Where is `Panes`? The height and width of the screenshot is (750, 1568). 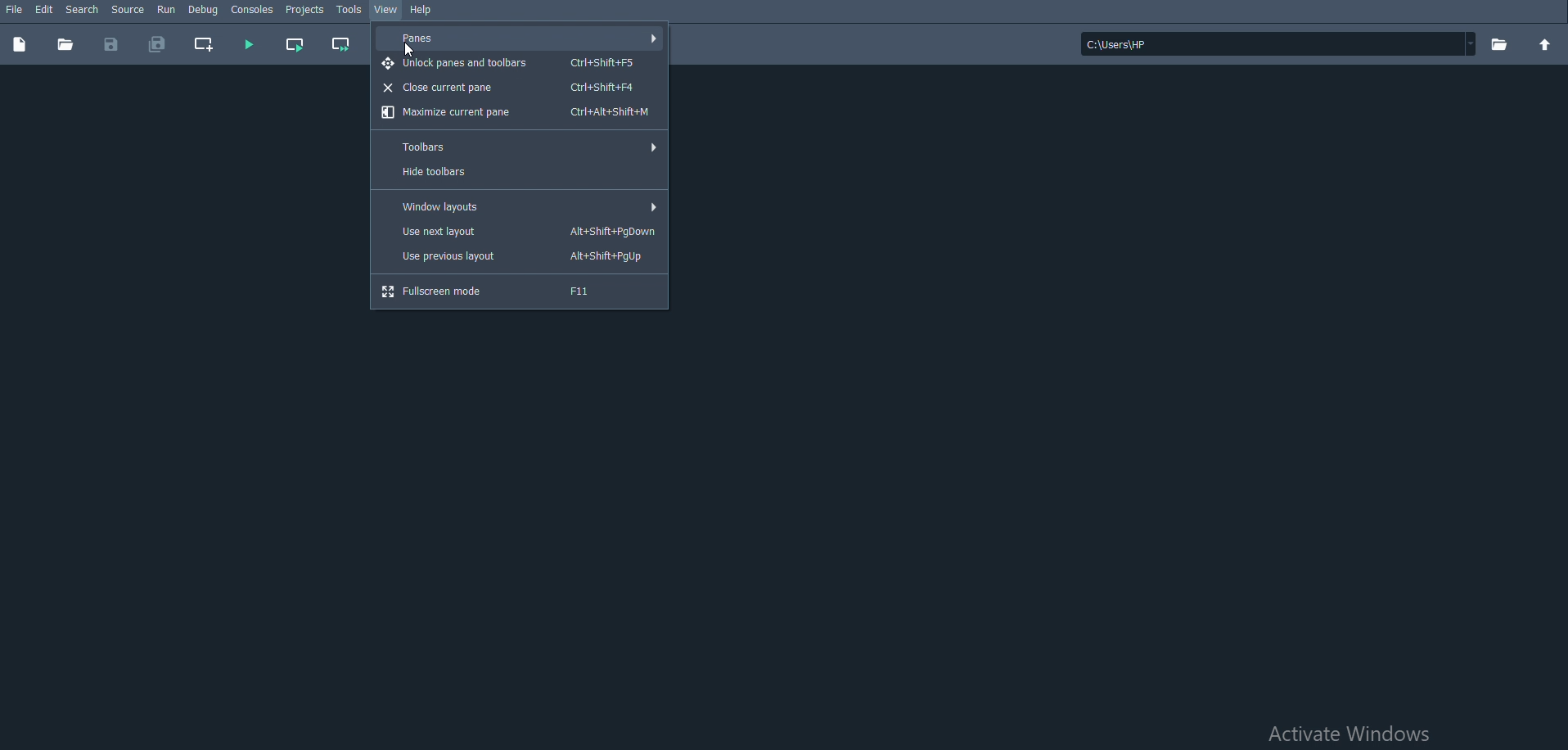
Panes is located at coordinates (517, 38).